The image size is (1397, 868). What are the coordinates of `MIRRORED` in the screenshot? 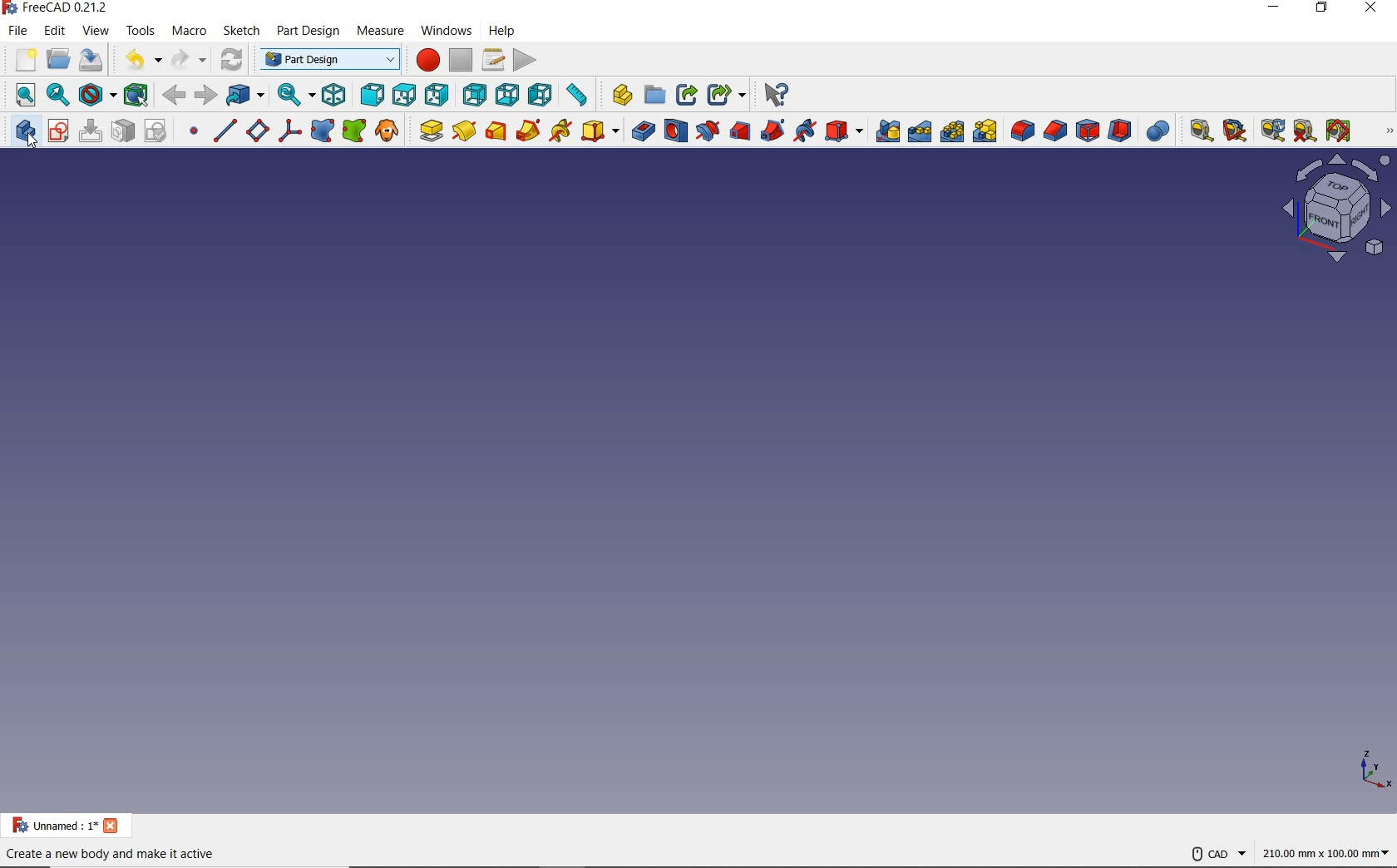 It's located at (887, 131).